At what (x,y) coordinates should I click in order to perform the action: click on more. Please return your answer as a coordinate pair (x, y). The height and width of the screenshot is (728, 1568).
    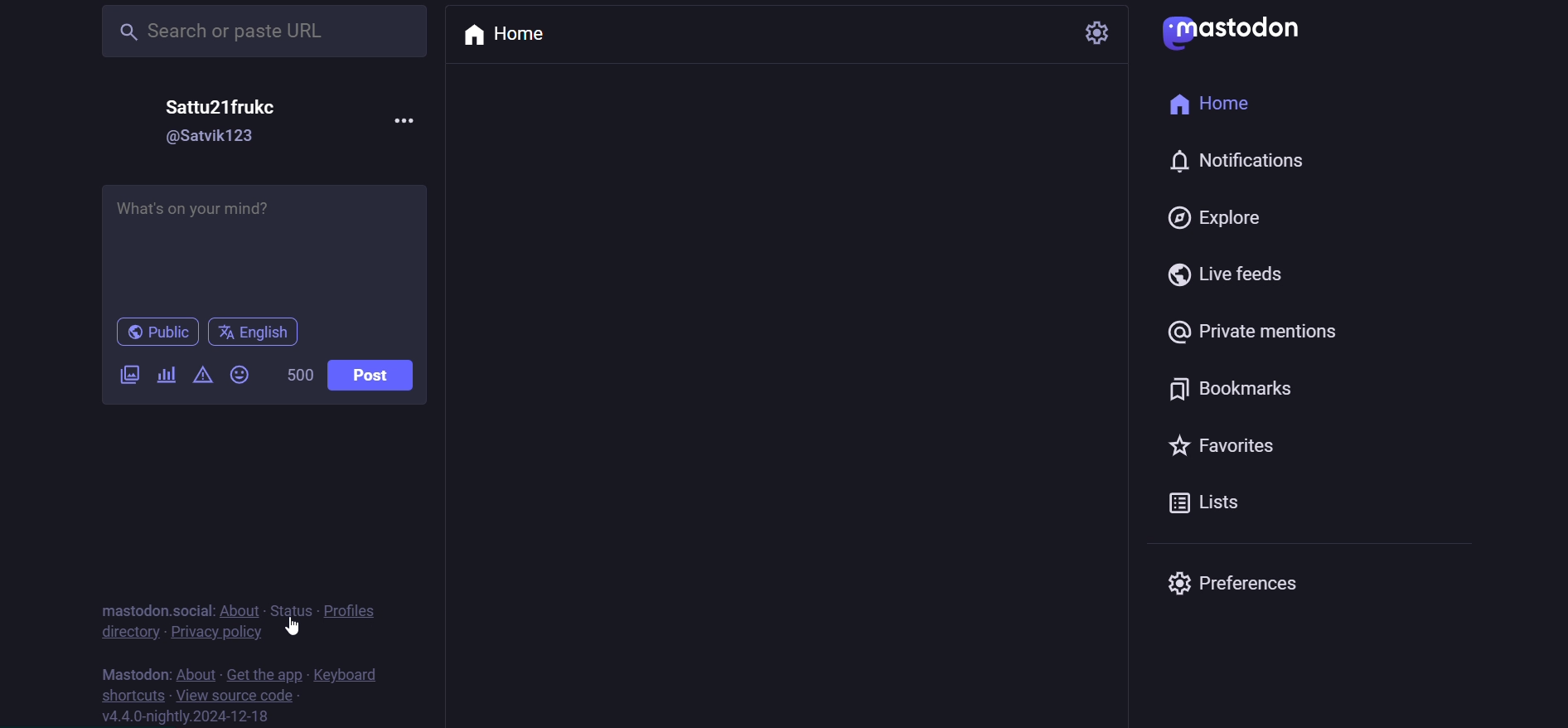
    Looking at the image, I should click on (404, 124).